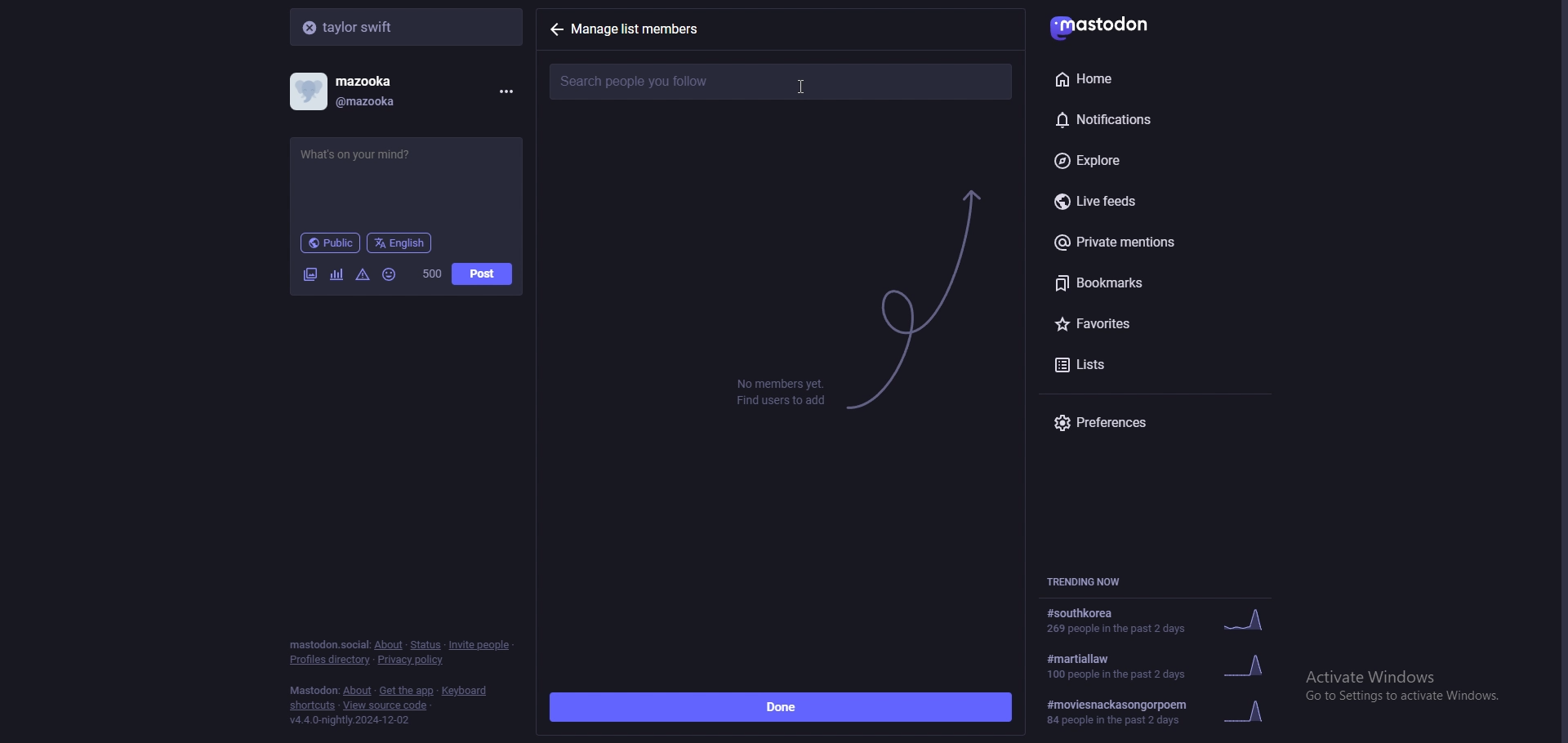  Describe the element at coordinates (356, 91) in the screenshot. I see `profile` at that location.